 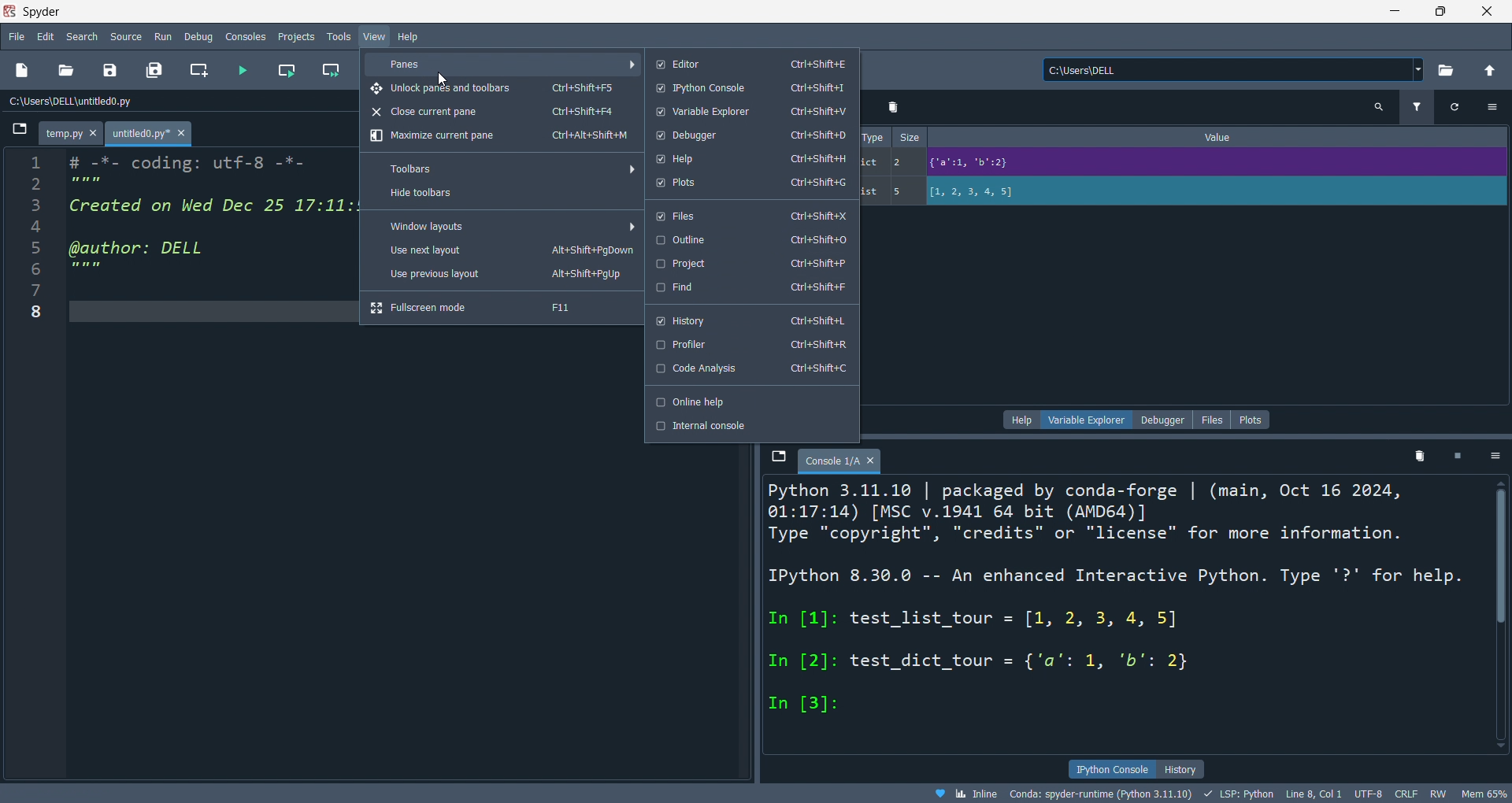 What do you see at coordinates (442, 80) in the screenshot?
I see `Cursor` at bounding box center [442, 80].